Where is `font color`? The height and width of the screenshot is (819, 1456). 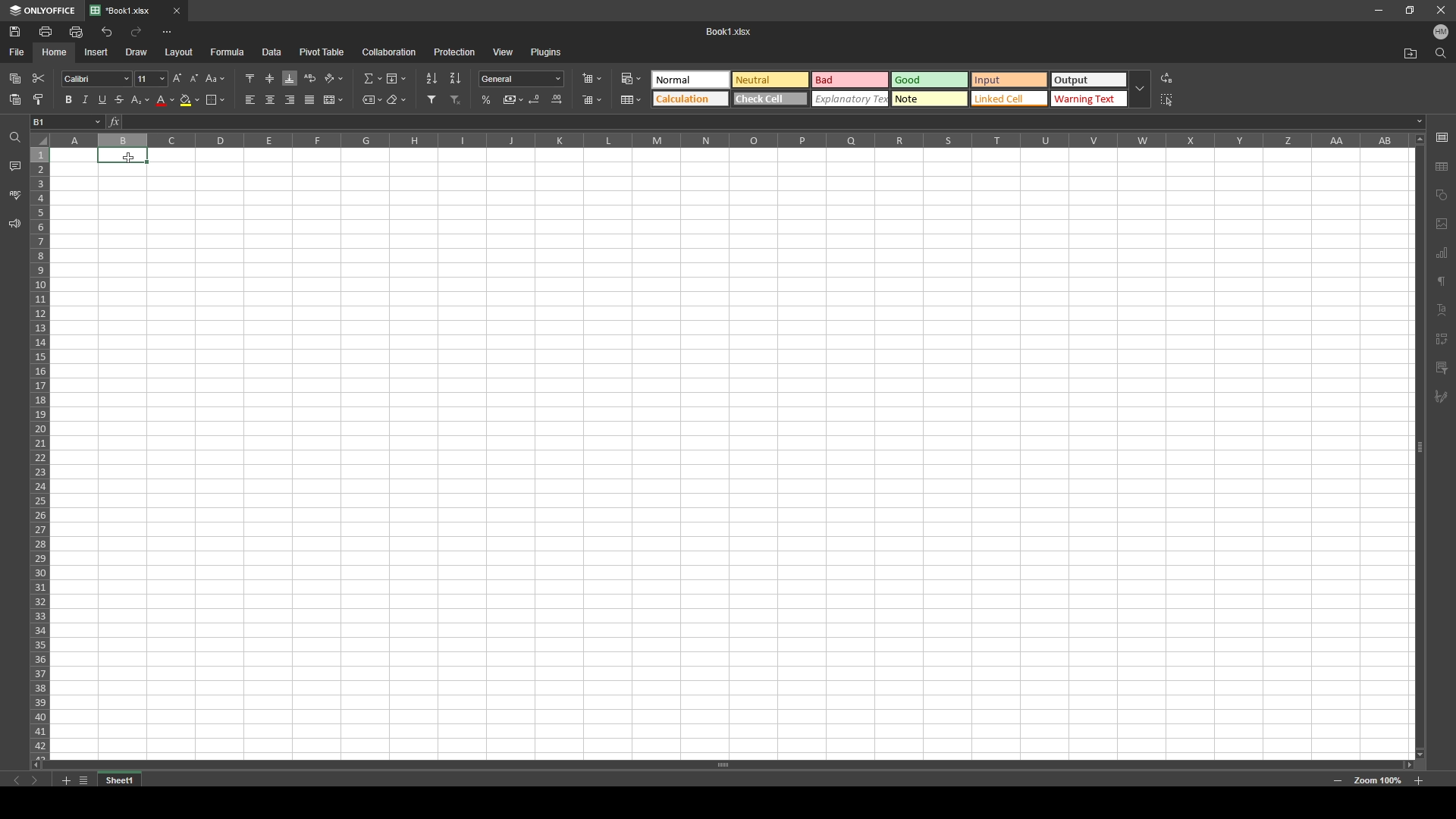 font color is located at coordinates (165, 101).